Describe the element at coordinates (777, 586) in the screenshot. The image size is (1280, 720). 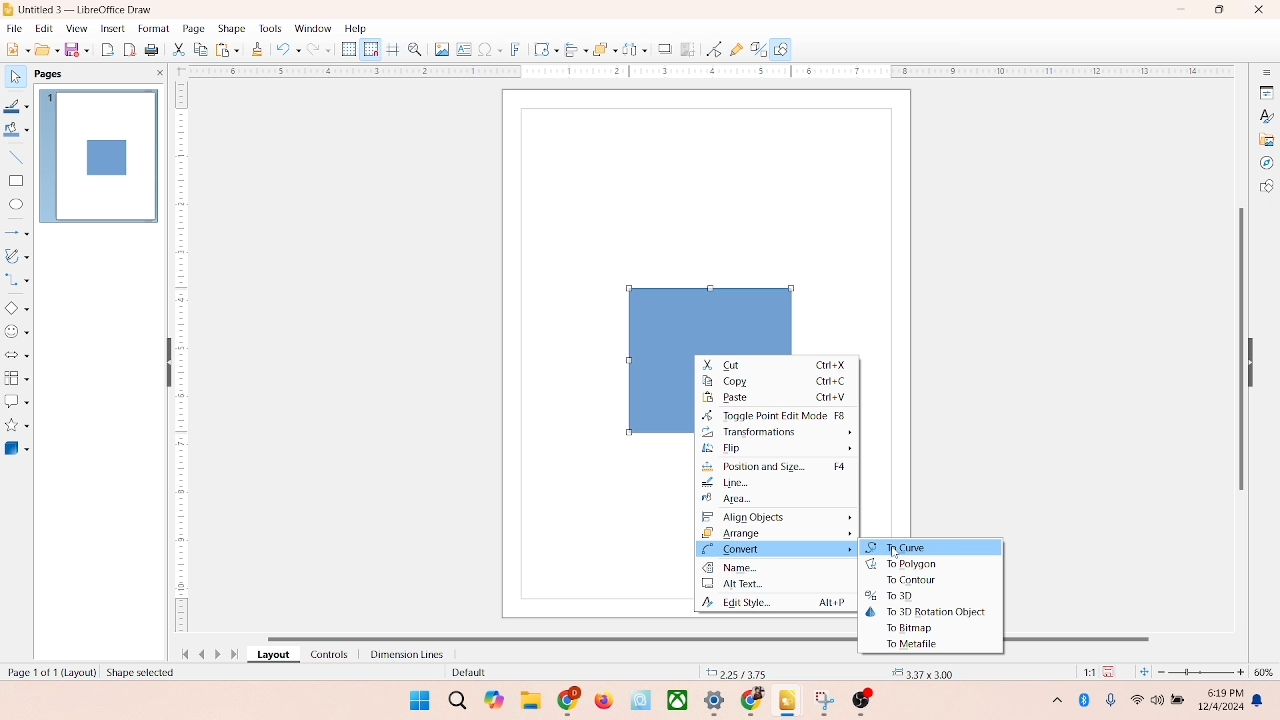
I see `alt text` at that location.